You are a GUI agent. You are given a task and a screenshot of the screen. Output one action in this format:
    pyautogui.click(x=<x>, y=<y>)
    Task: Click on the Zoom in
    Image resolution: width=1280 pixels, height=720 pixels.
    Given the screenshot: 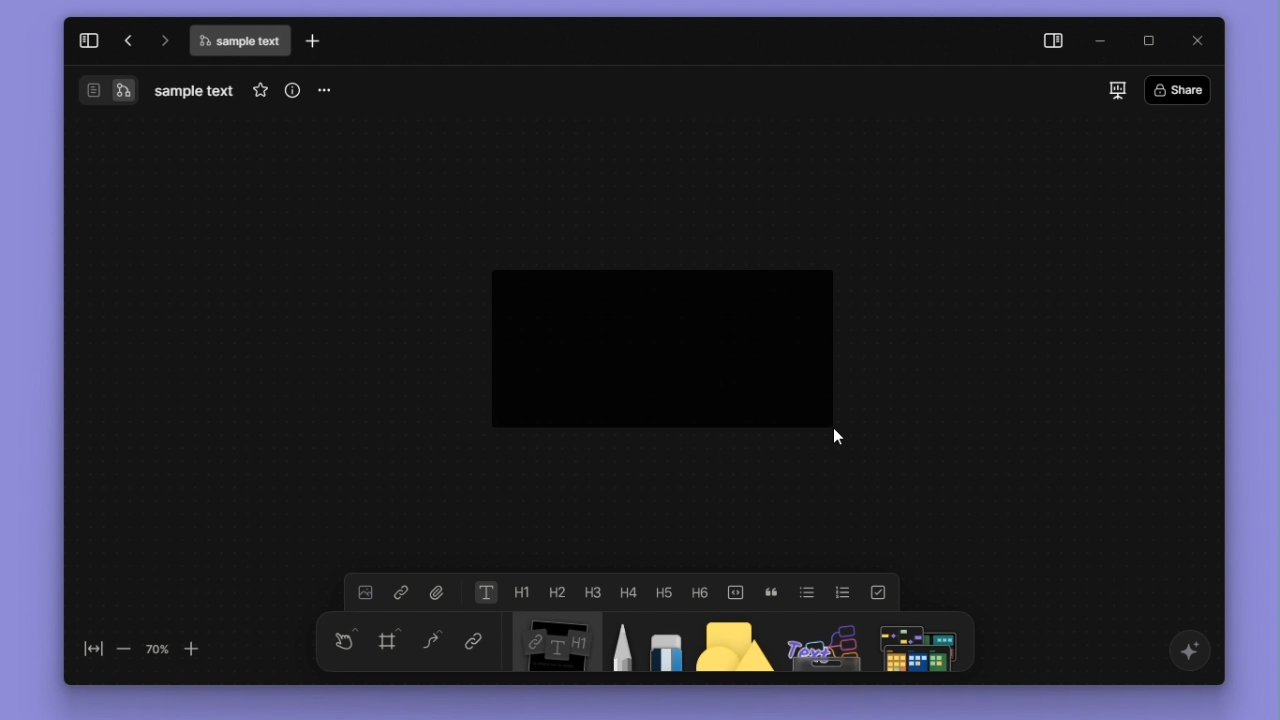 What is the action you would take?
    pyautogui.click(x=202, y=648)
    